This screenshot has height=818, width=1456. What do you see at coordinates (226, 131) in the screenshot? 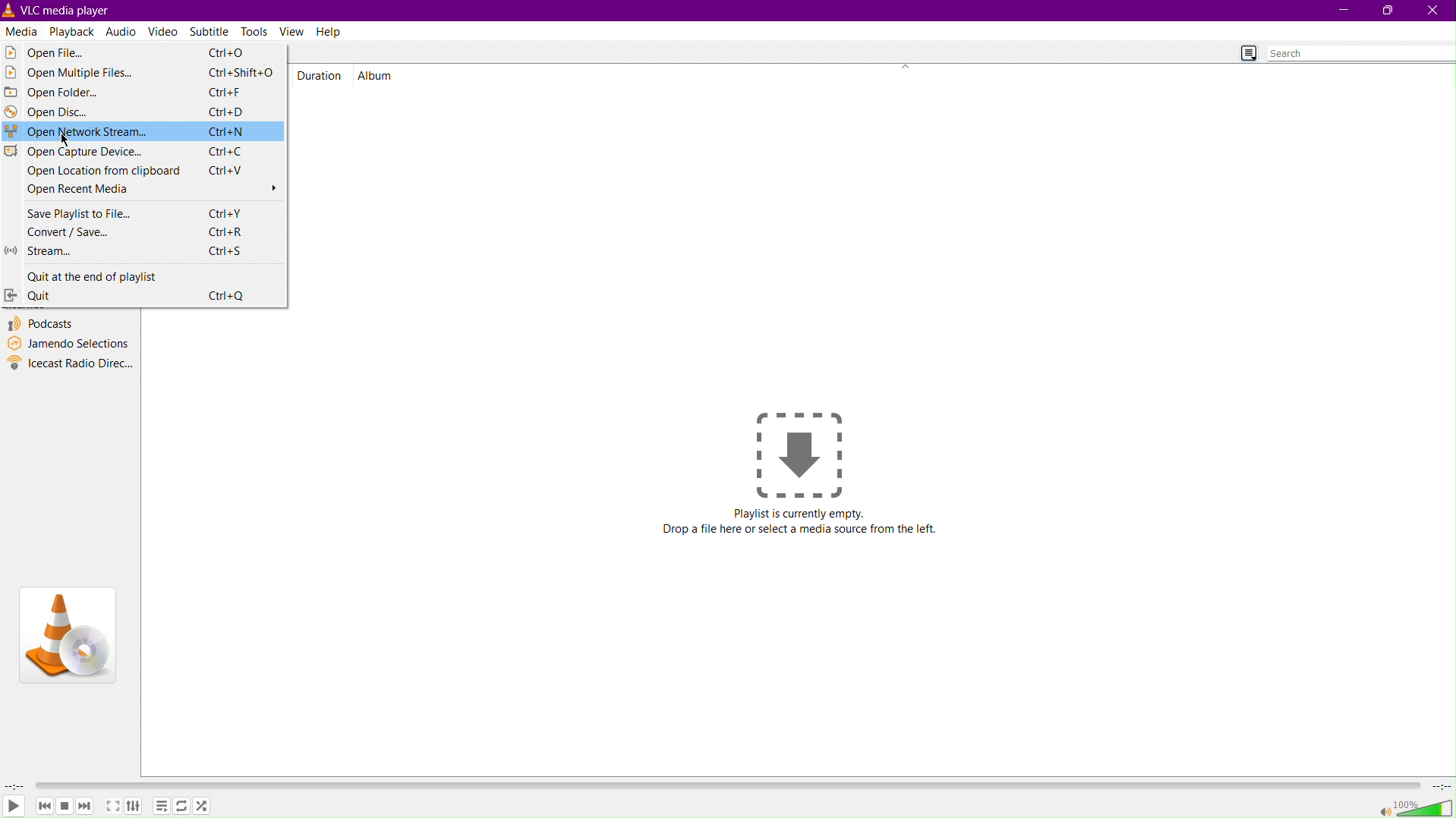
I see `Ctrl+N` at bounding box center [226, 131].